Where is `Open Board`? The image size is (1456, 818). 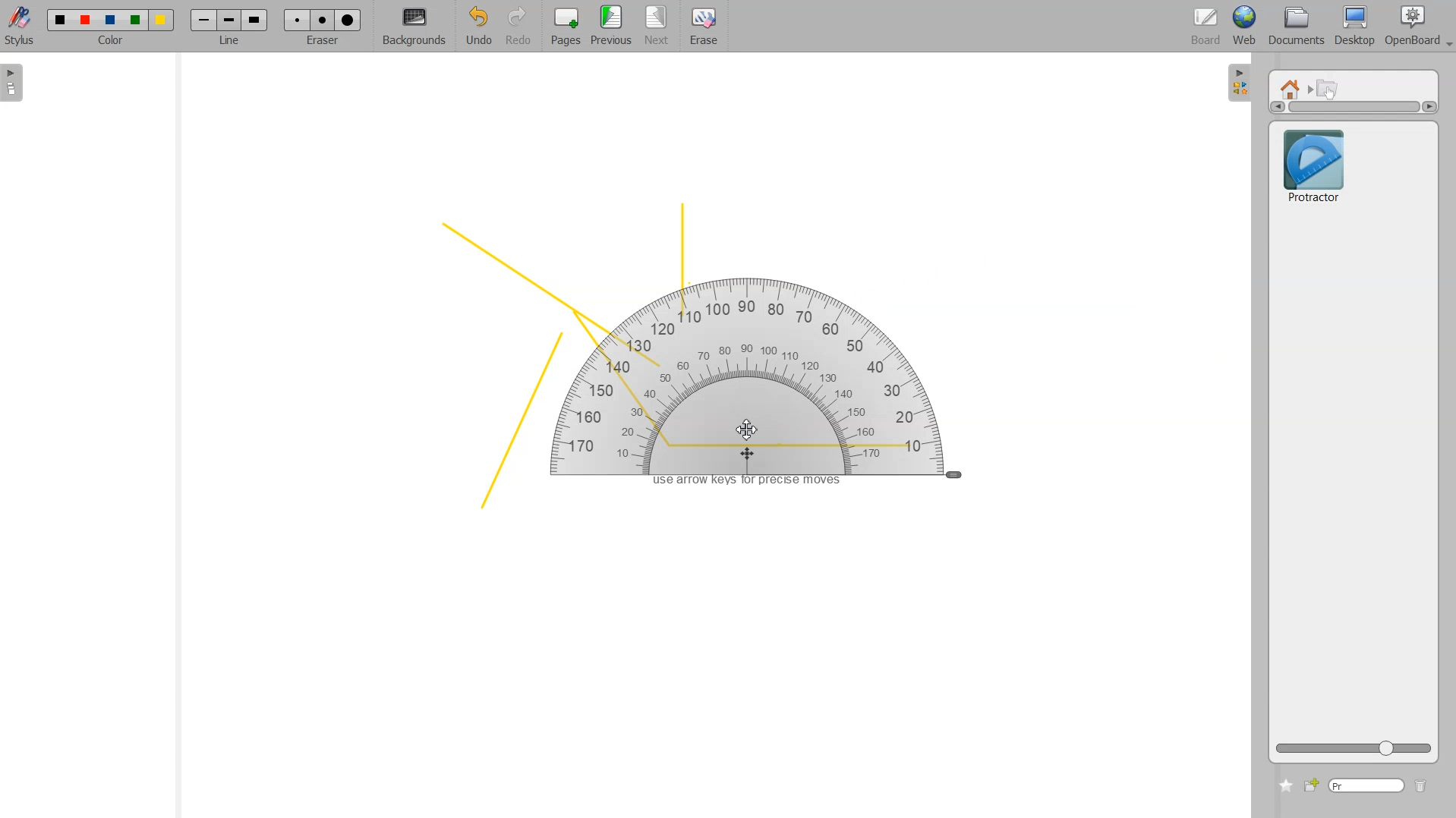 Open Board is located at coordinates (1418, 27).